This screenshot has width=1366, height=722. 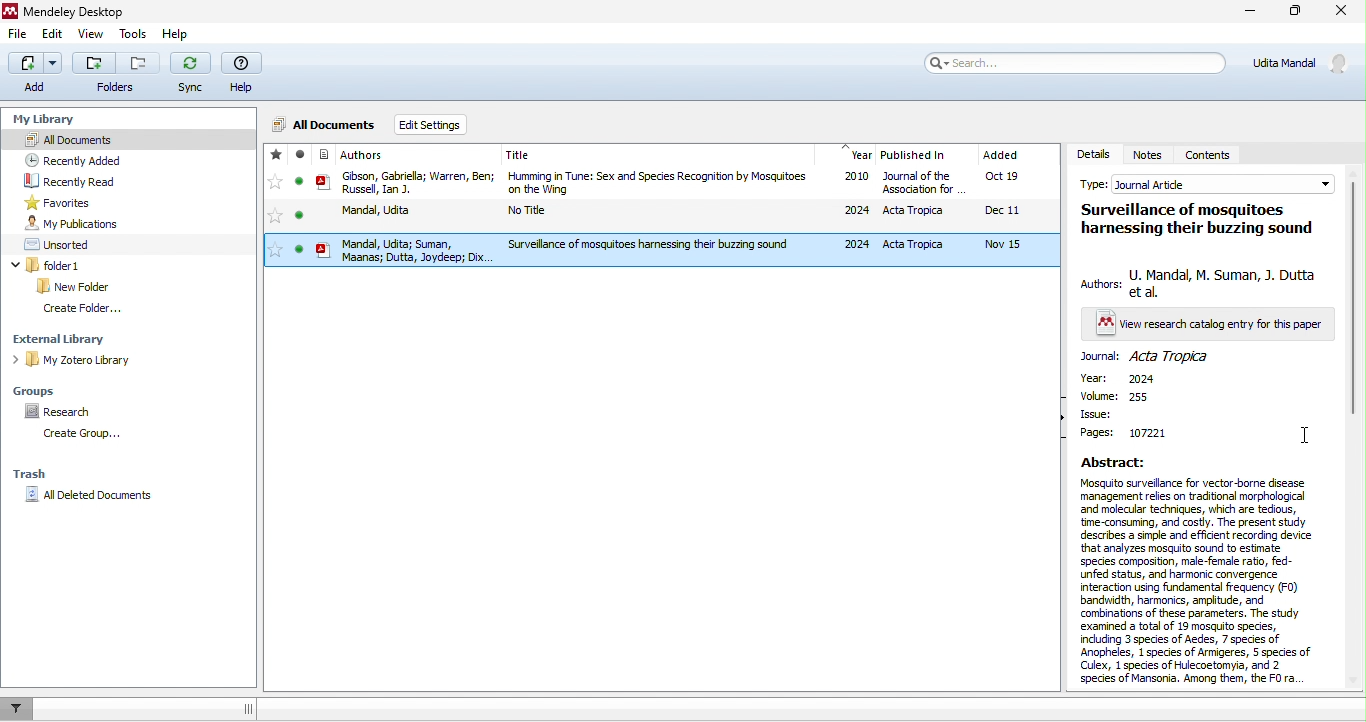 What do you see at coordinates (80, 158) in the screenshot?
I see `recently added` at bounding box center [80, 158].